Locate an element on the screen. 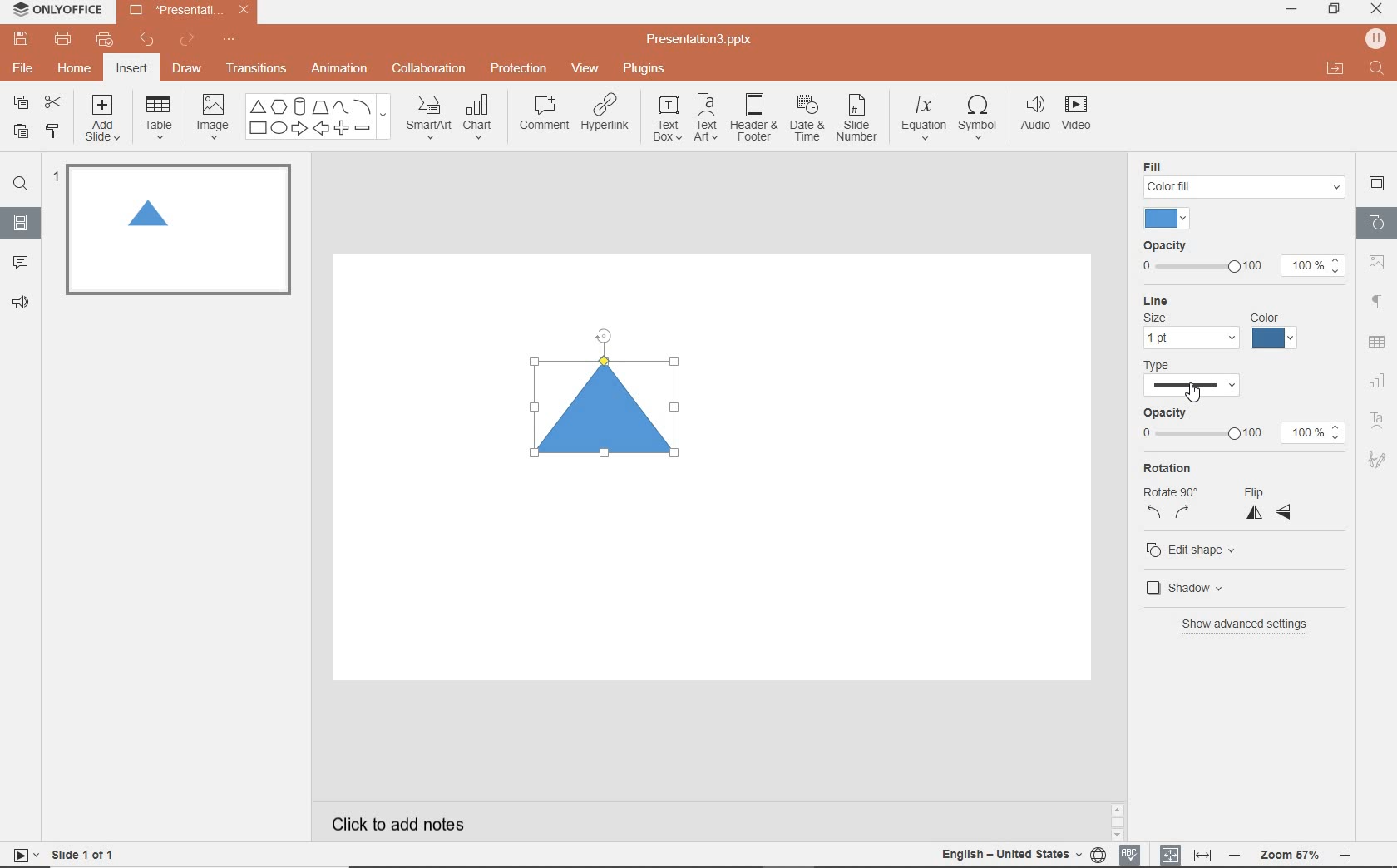 Image resolution: width=1397 pixels, height=868 pixels. shadow is located at coordinates (1193, 588).